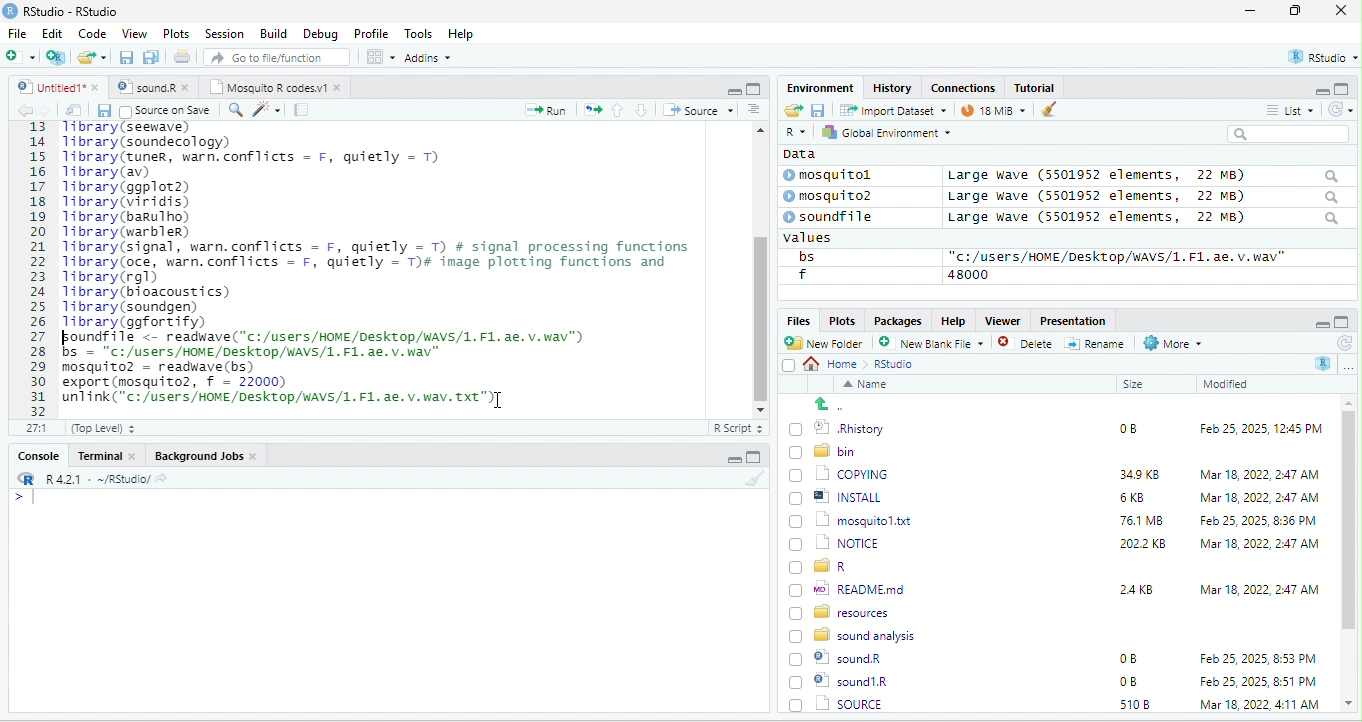  Describe the element at coordinates (817, 109) in the screenshot. I see `save` at that location.